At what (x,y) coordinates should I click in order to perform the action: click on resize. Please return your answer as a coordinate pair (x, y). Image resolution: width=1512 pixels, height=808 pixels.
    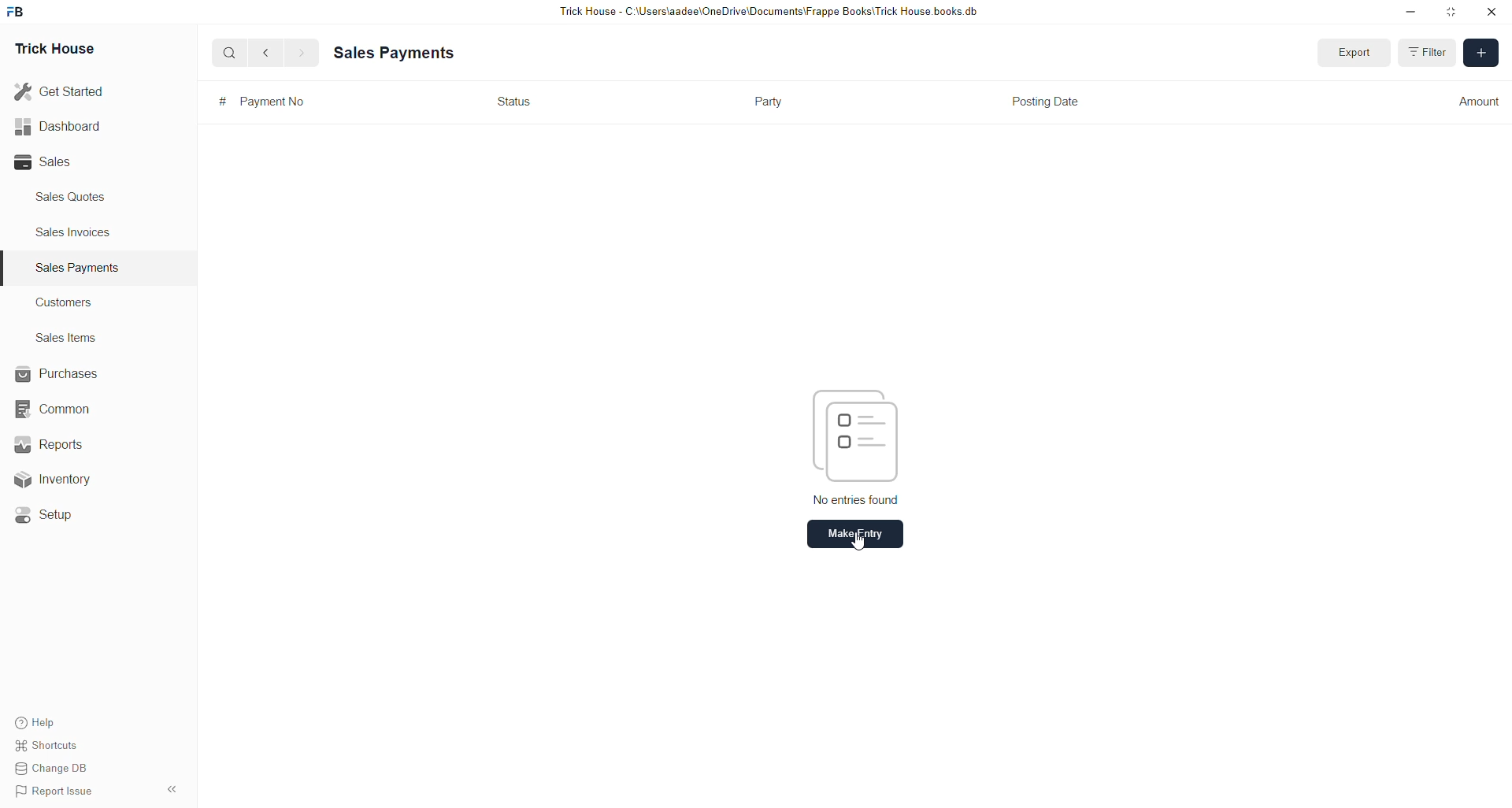
    Looking at the image, I should click on (1452, 12).